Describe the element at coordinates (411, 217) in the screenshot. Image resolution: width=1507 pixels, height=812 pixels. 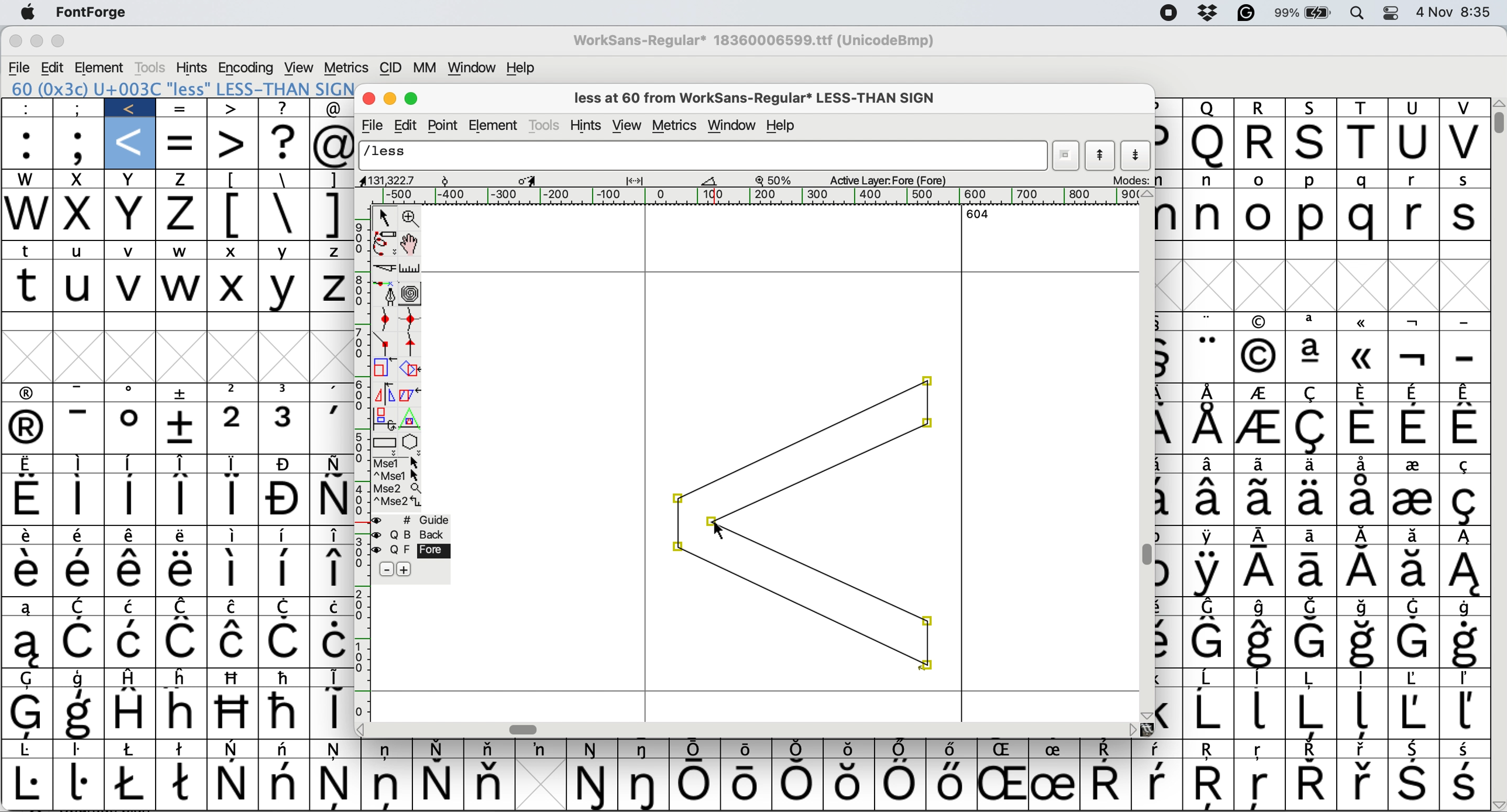
I see `zoom` at that location.